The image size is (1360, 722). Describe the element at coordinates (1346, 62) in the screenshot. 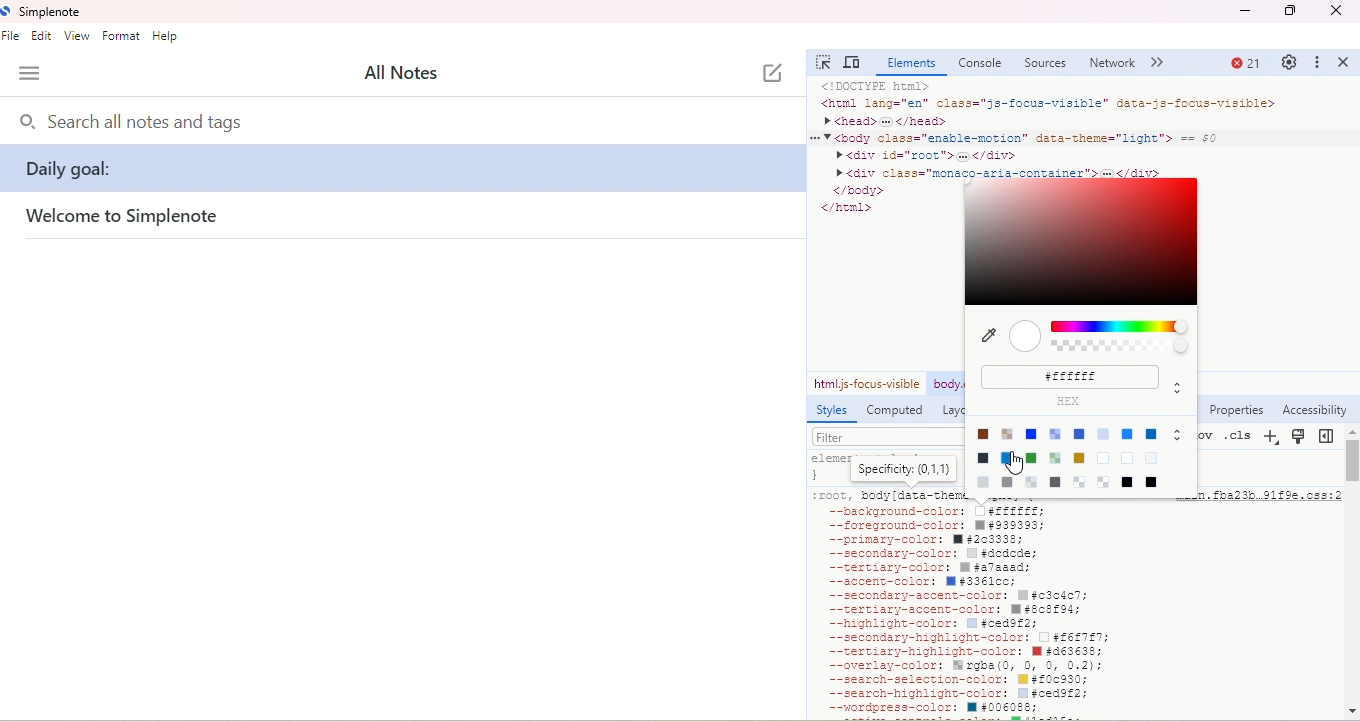

I see `close` at that location.